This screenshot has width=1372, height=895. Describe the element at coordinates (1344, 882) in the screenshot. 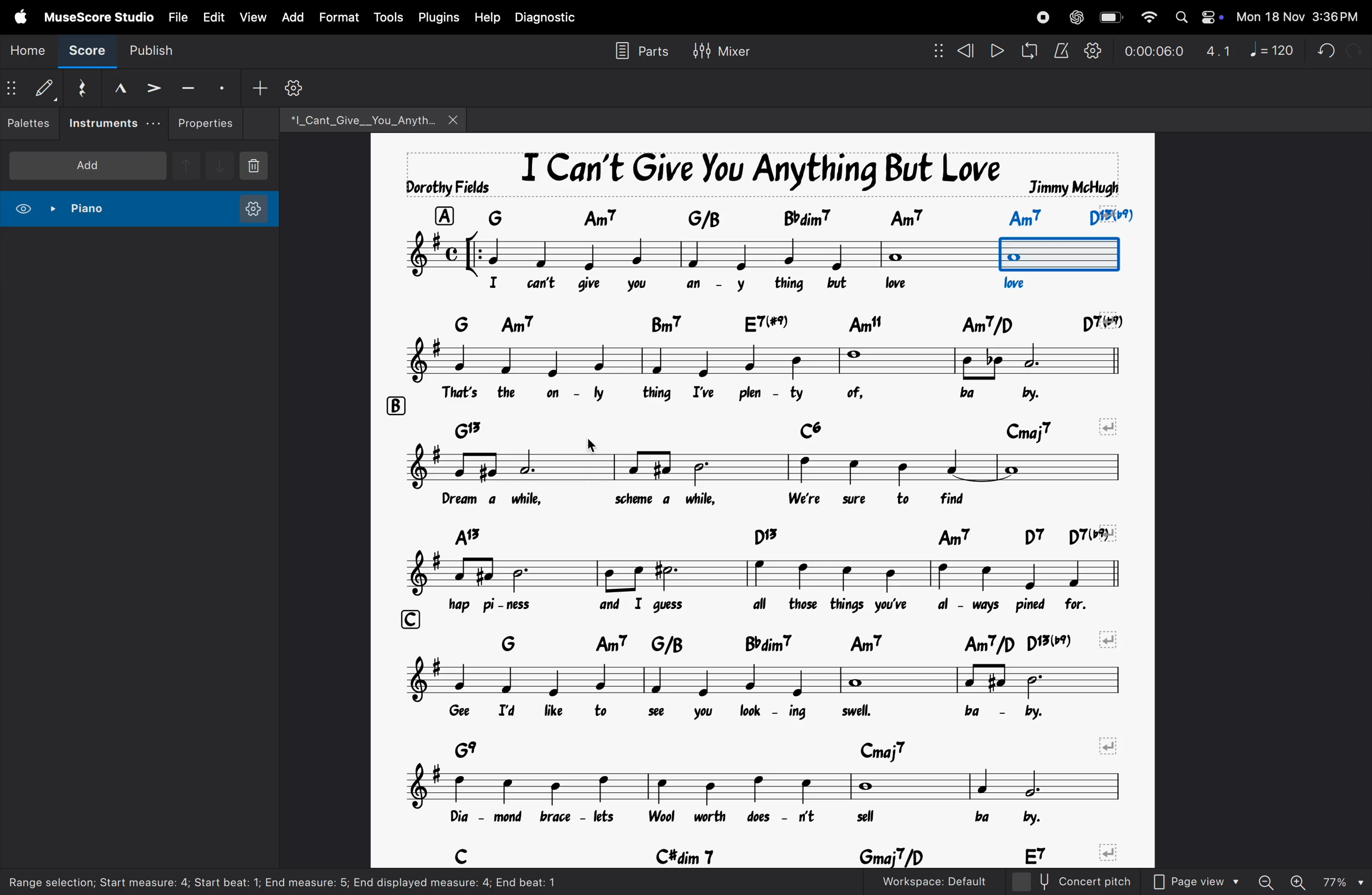

I see `zoom percentage` at that location.